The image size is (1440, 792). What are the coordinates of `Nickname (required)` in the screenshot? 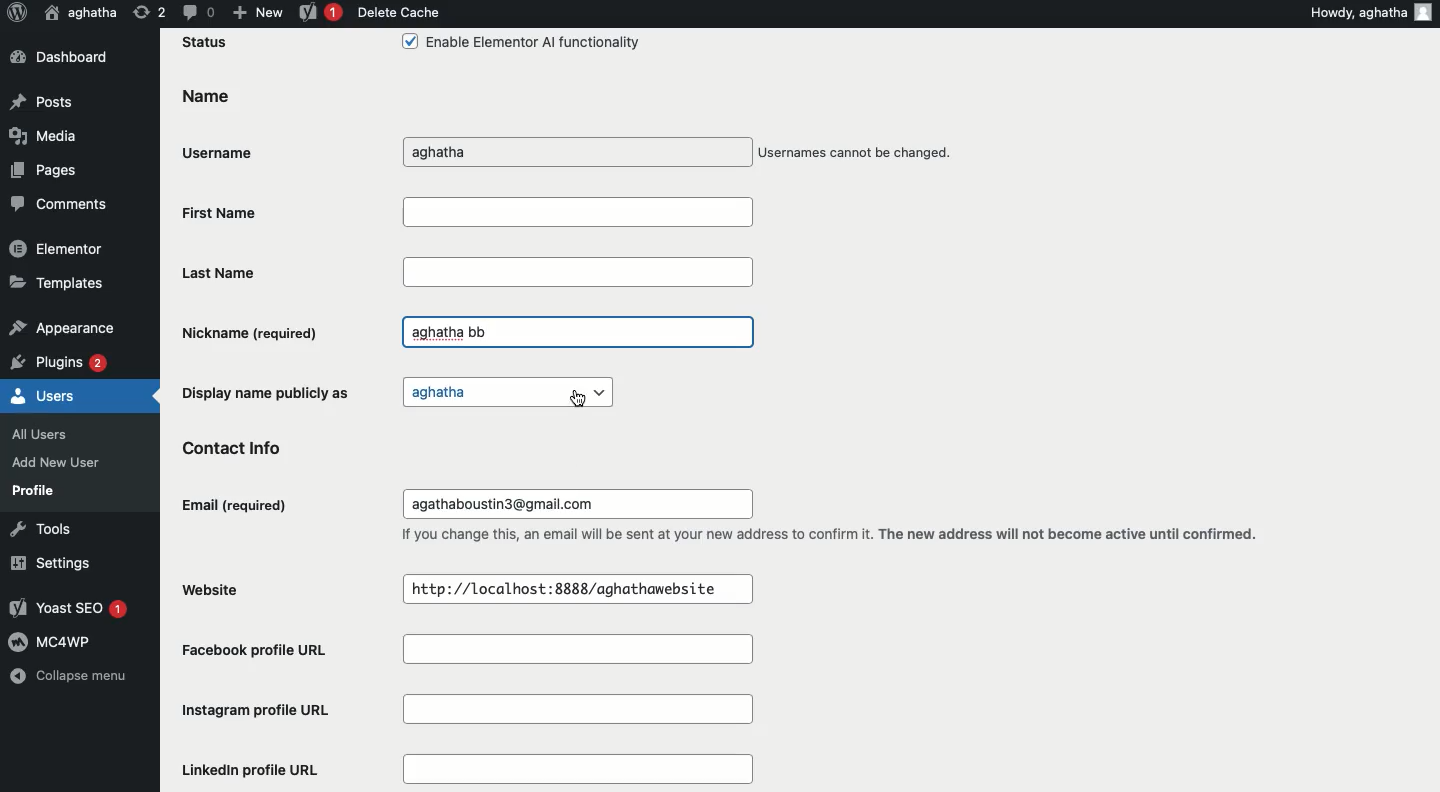 It's located at (254, 332).